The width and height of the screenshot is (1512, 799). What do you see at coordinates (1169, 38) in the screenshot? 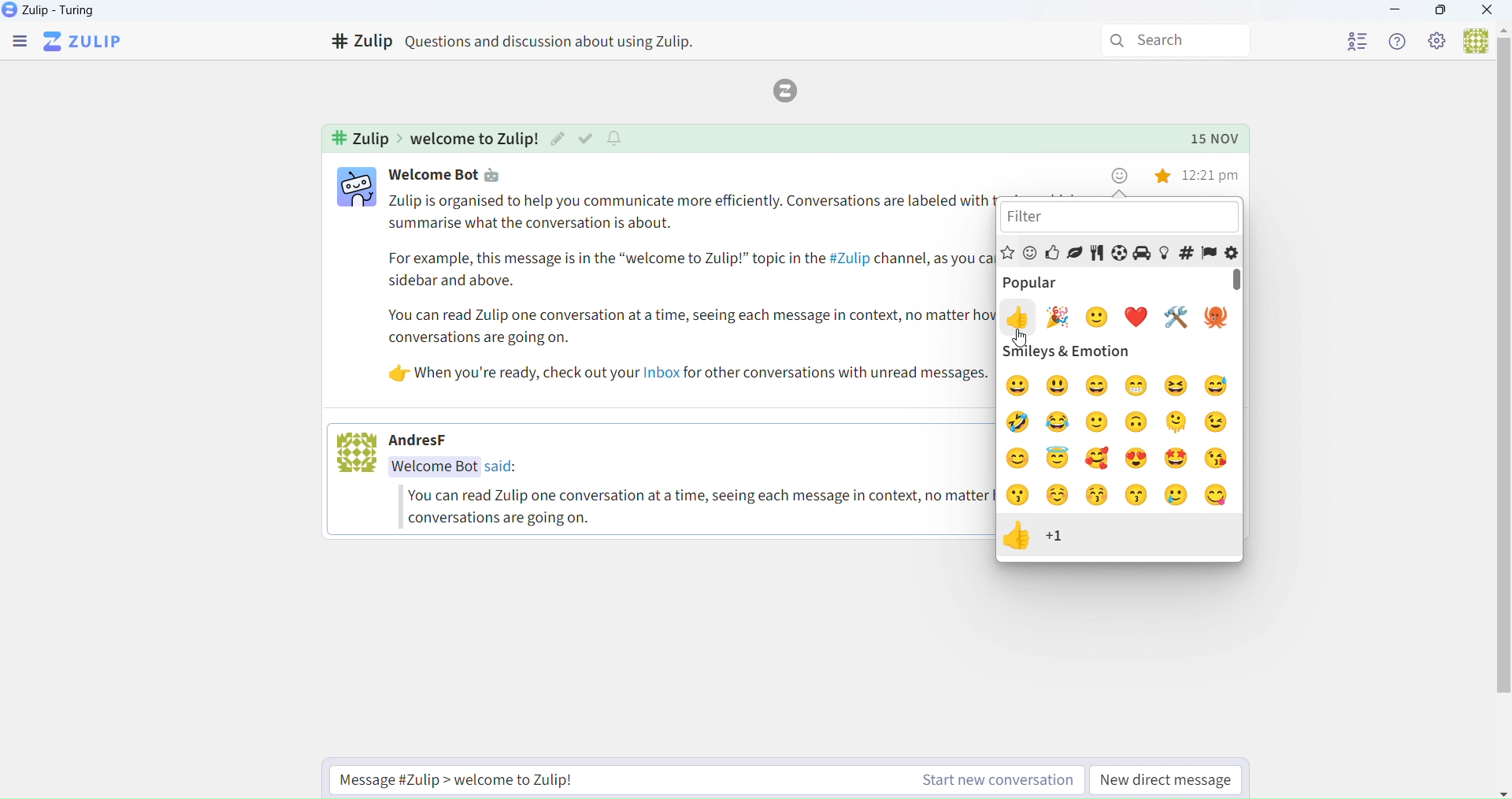
I see `Search` at bounding box center [1169, 38].